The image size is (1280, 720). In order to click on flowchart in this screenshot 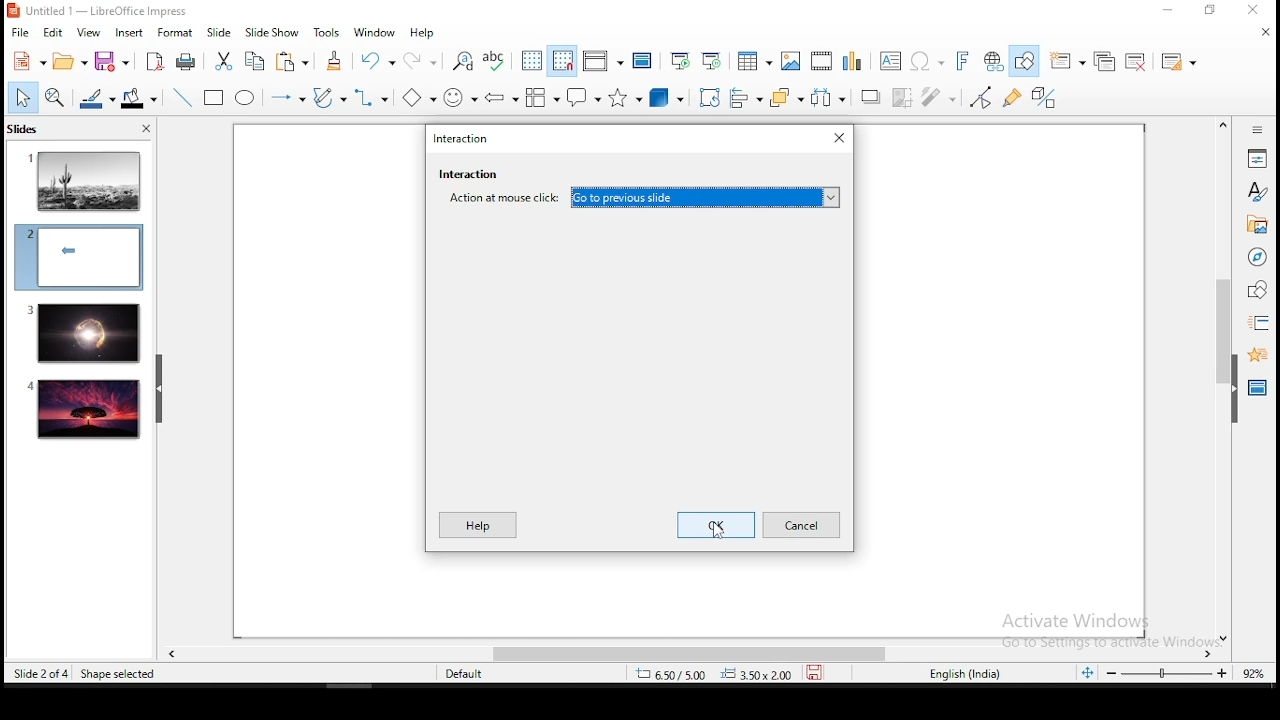, I will do `click(543, 99)`.